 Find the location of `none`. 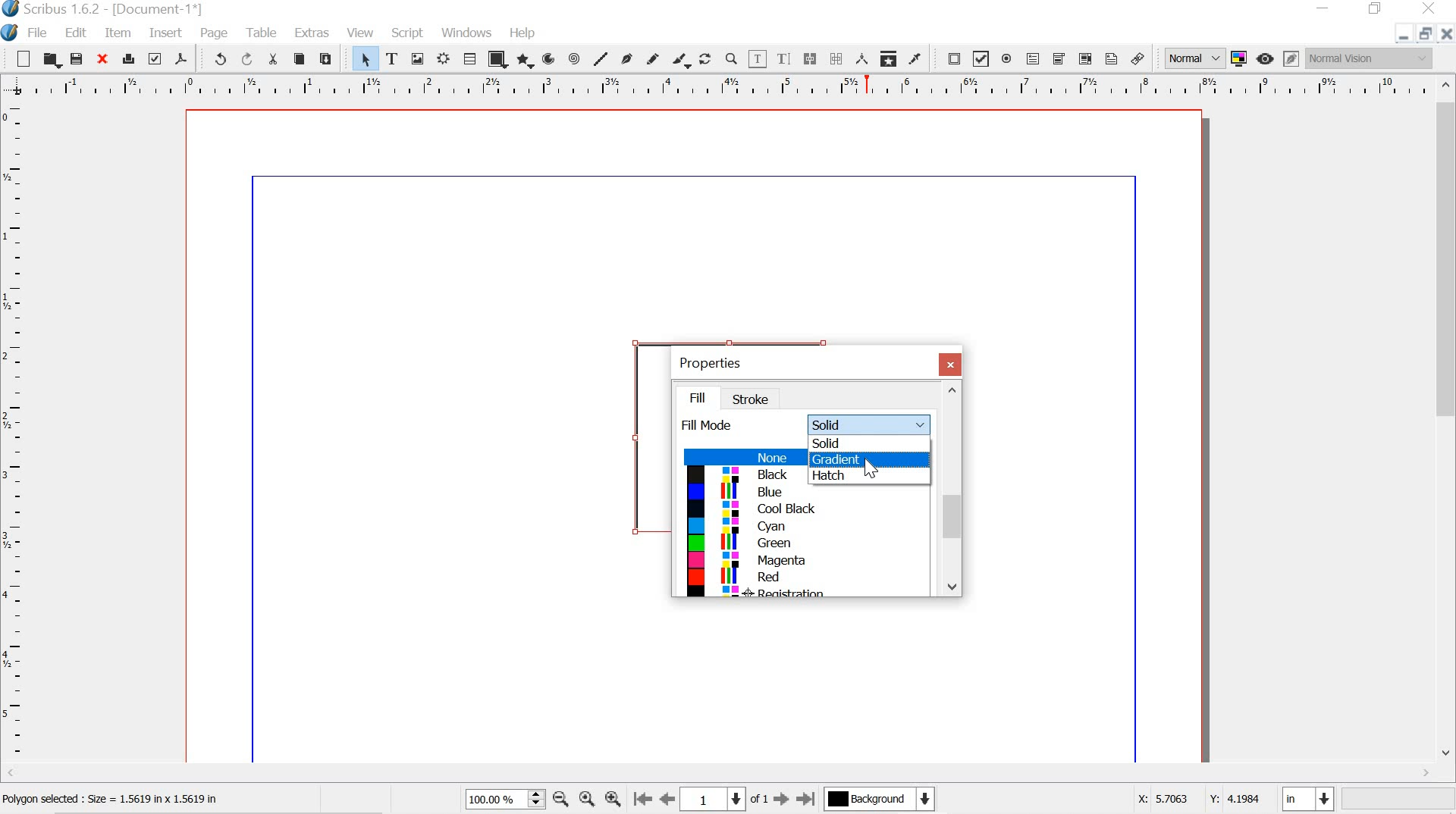

none is located at coordinates (740, 458).